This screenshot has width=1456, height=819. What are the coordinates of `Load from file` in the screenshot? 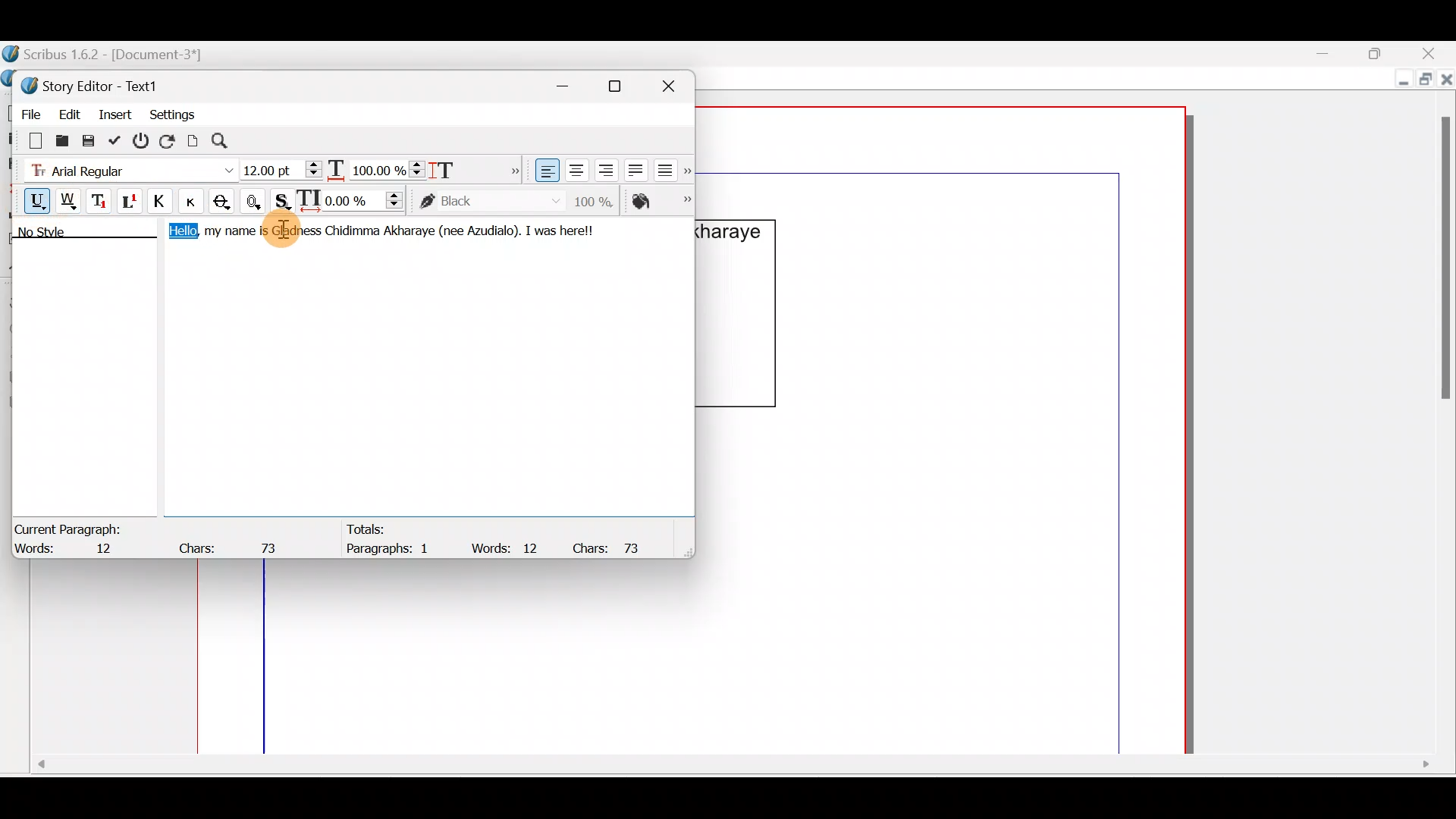 It's located at (61, 140).